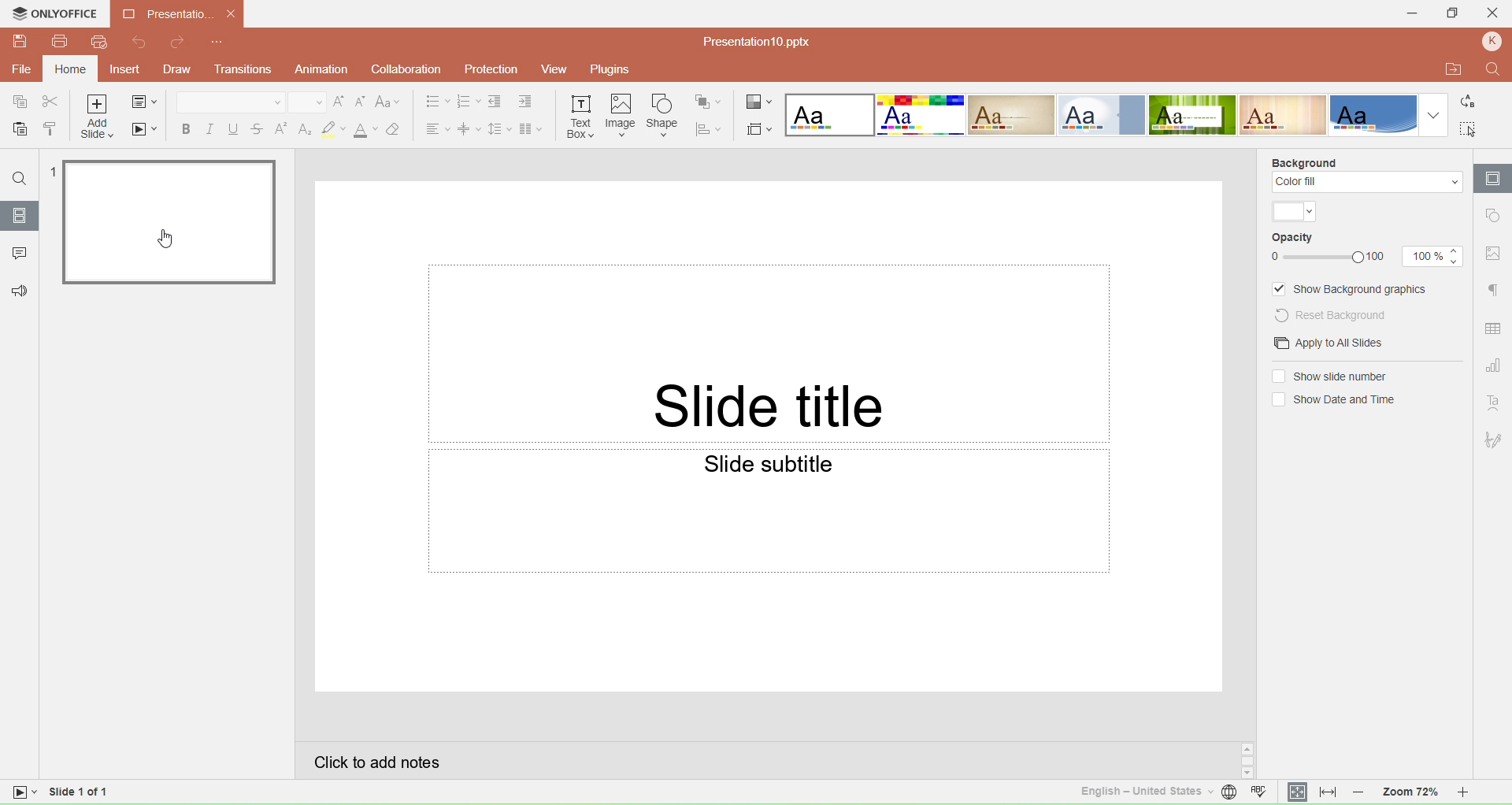  I want to click on Insert, so click(124, 70).